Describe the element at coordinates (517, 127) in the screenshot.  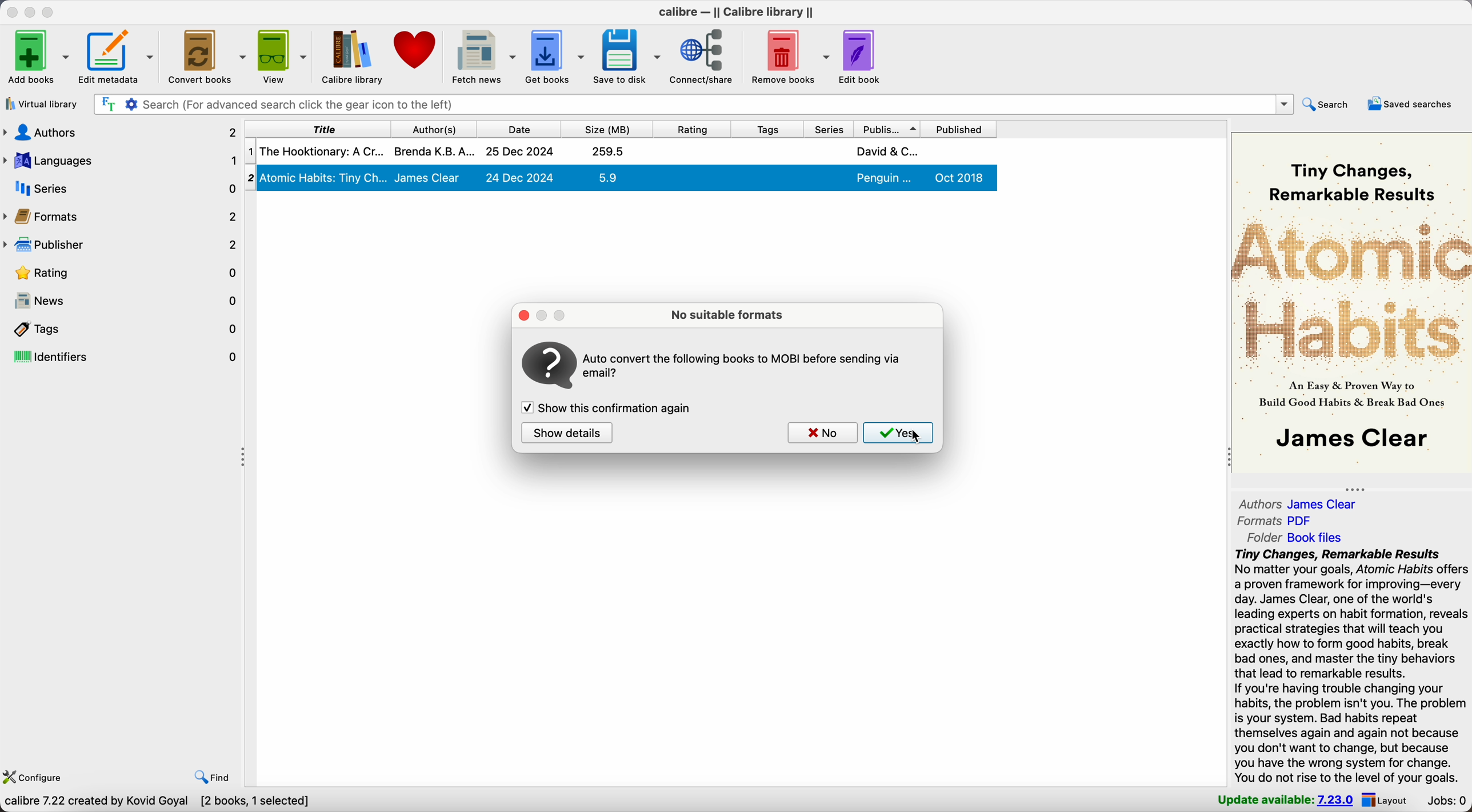
I see `date` at that location.